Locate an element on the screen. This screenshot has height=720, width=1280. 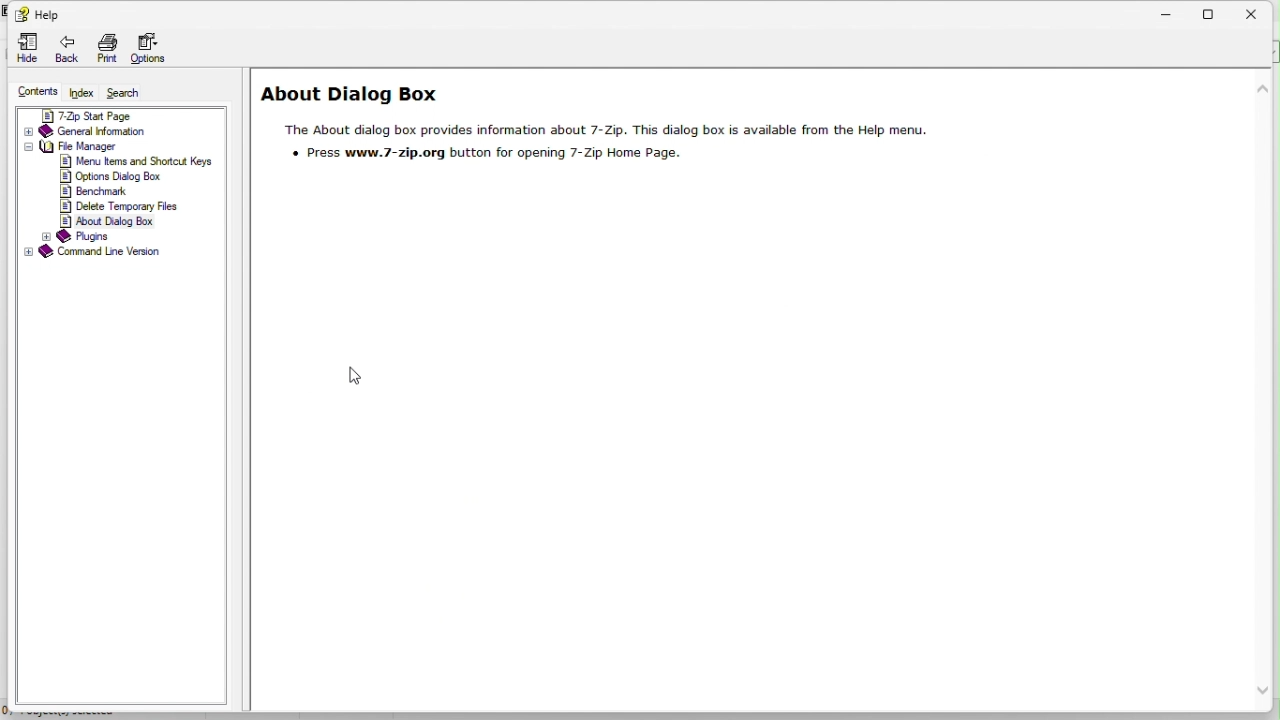
delete is located at coordinates (121, 205).